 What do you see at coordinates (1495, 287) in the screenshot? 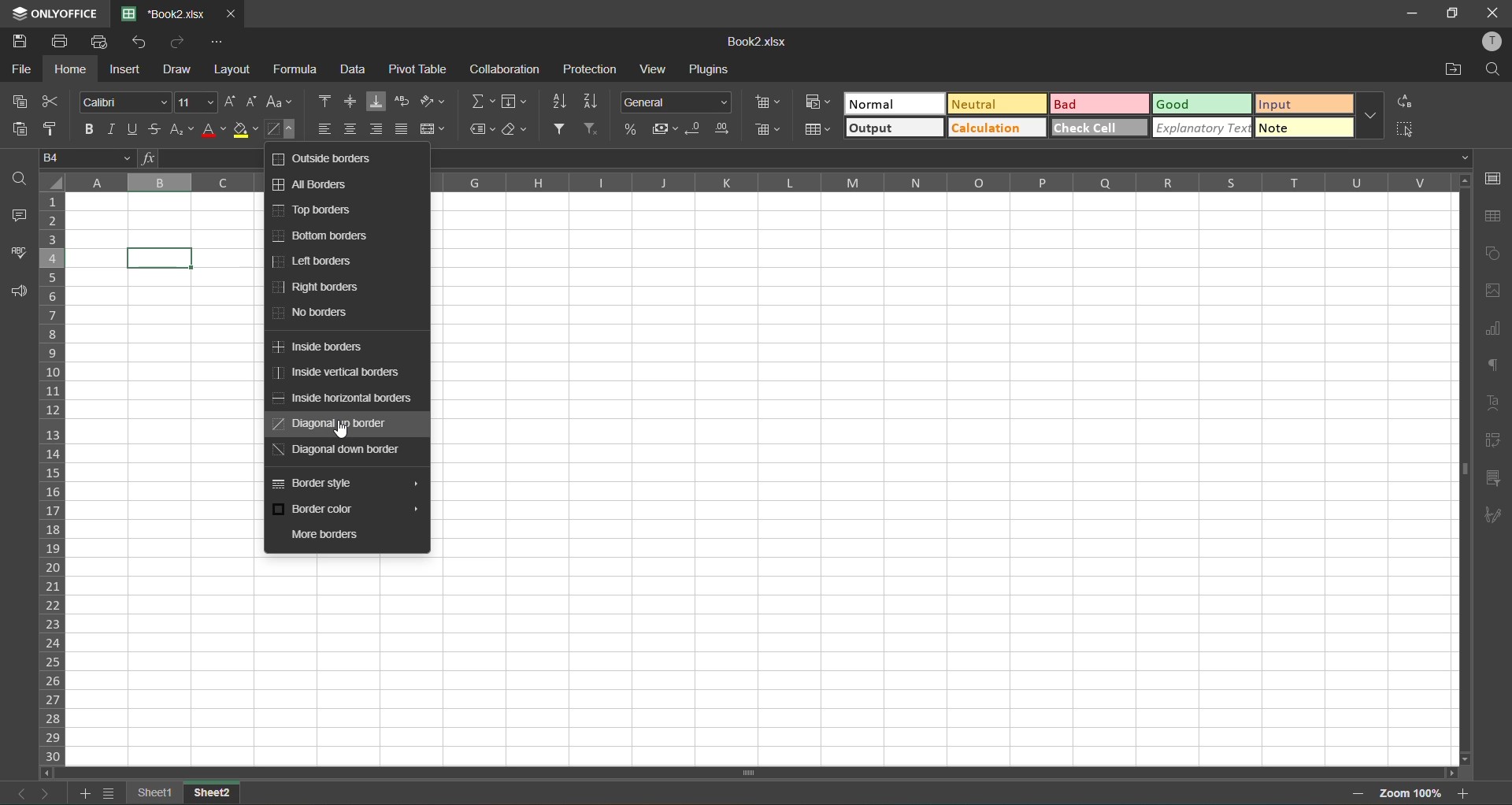
I see `images` at bounding box center [1495, 287].